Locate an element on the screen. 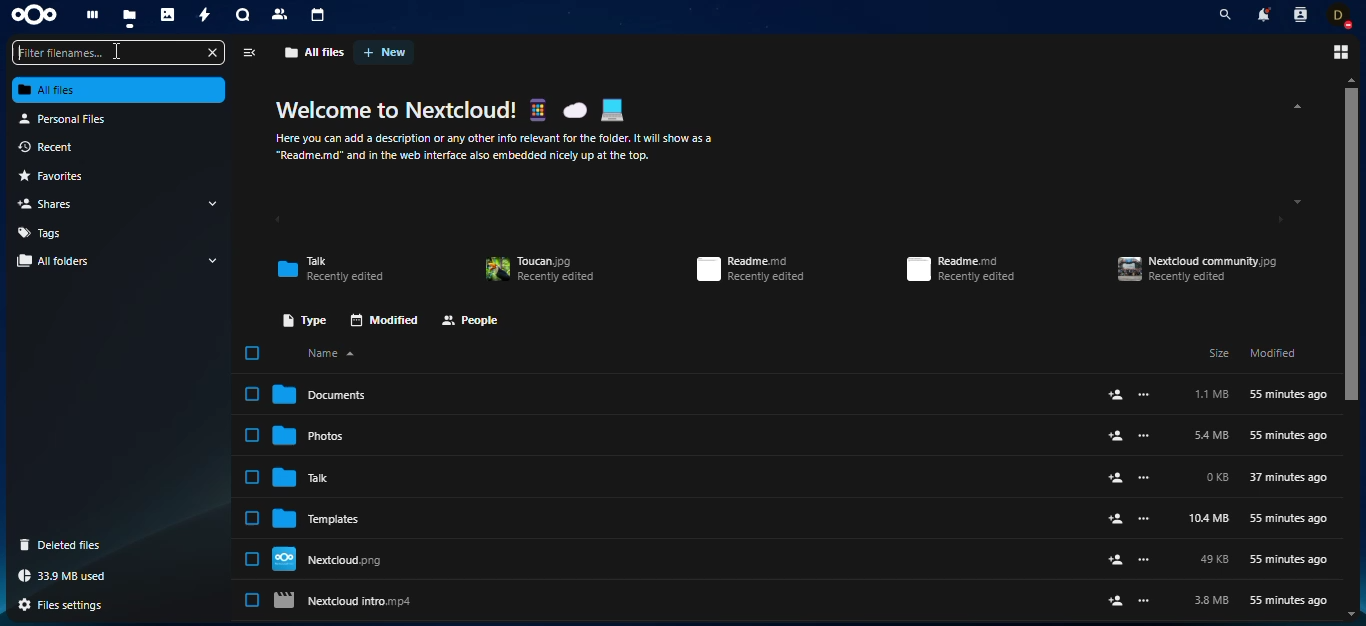 The image size is (1366, 626). Click to select is located at coordinates (251, 517).